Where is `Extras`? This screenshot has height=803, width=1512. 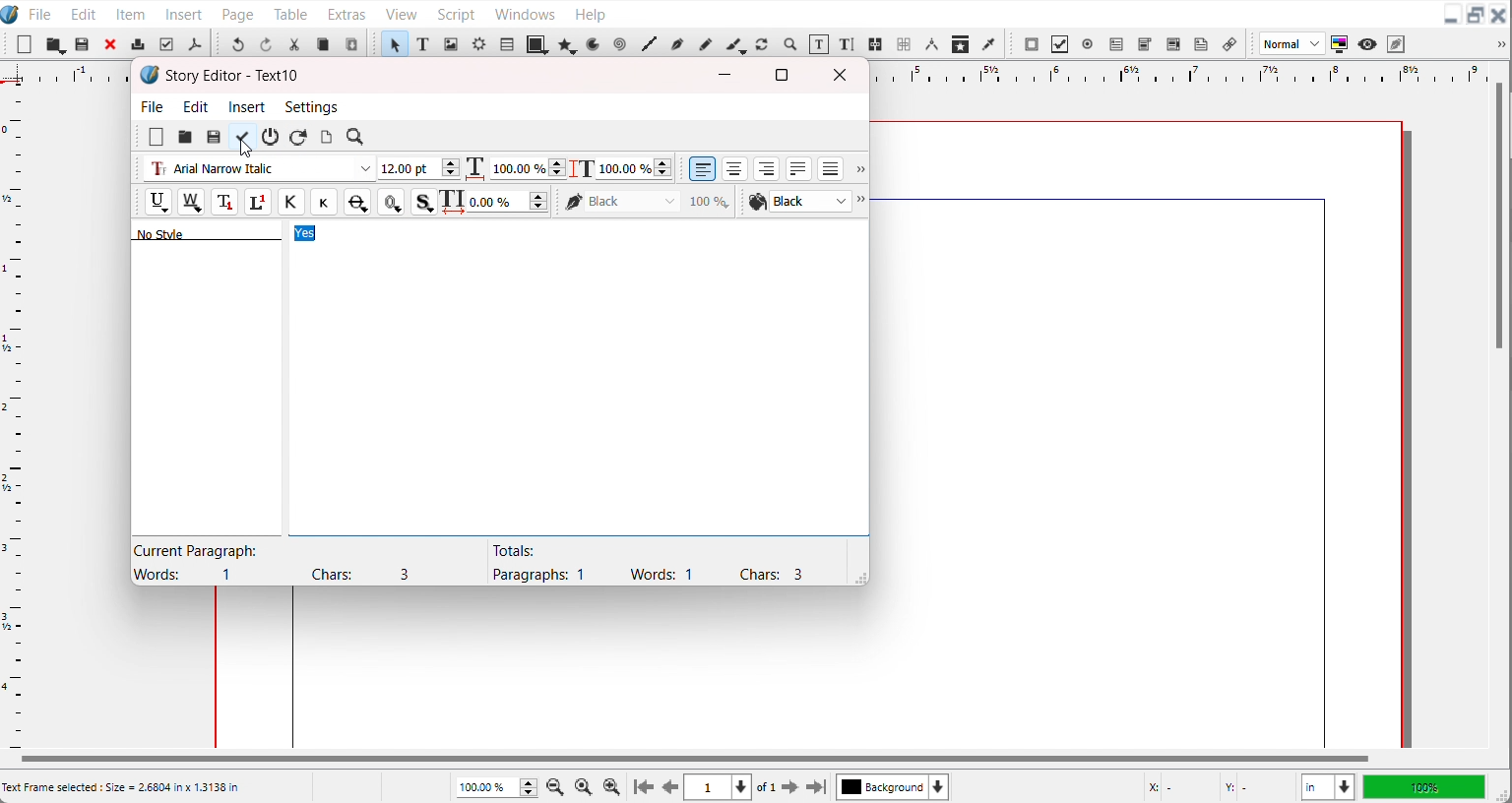
Extras is located at coordinates (346, 12).